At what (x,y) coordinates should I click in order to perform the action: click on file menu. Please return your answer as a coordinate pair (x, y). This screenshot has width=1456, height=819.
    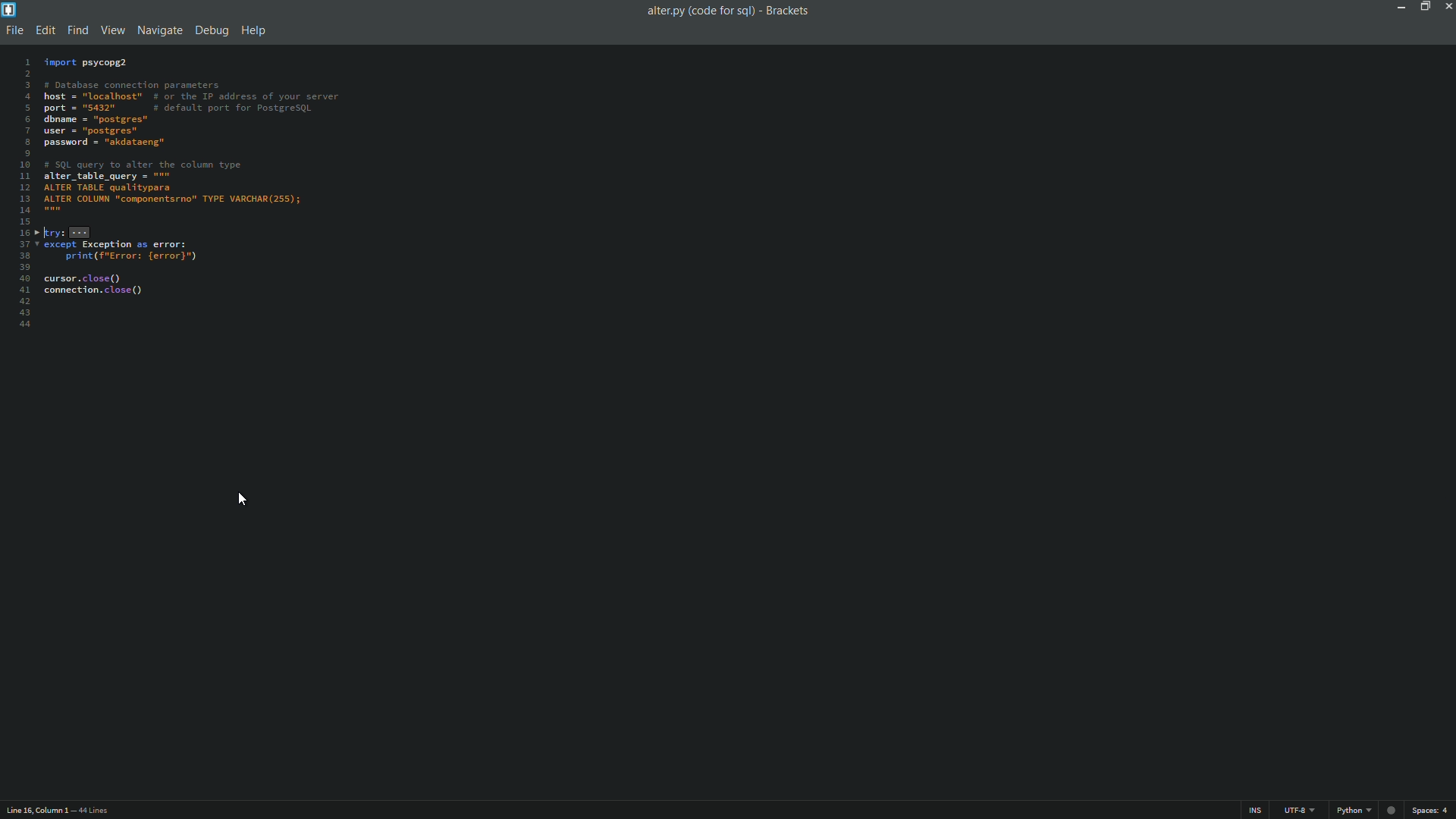
    Looking at the image, I should click on (13, 30).